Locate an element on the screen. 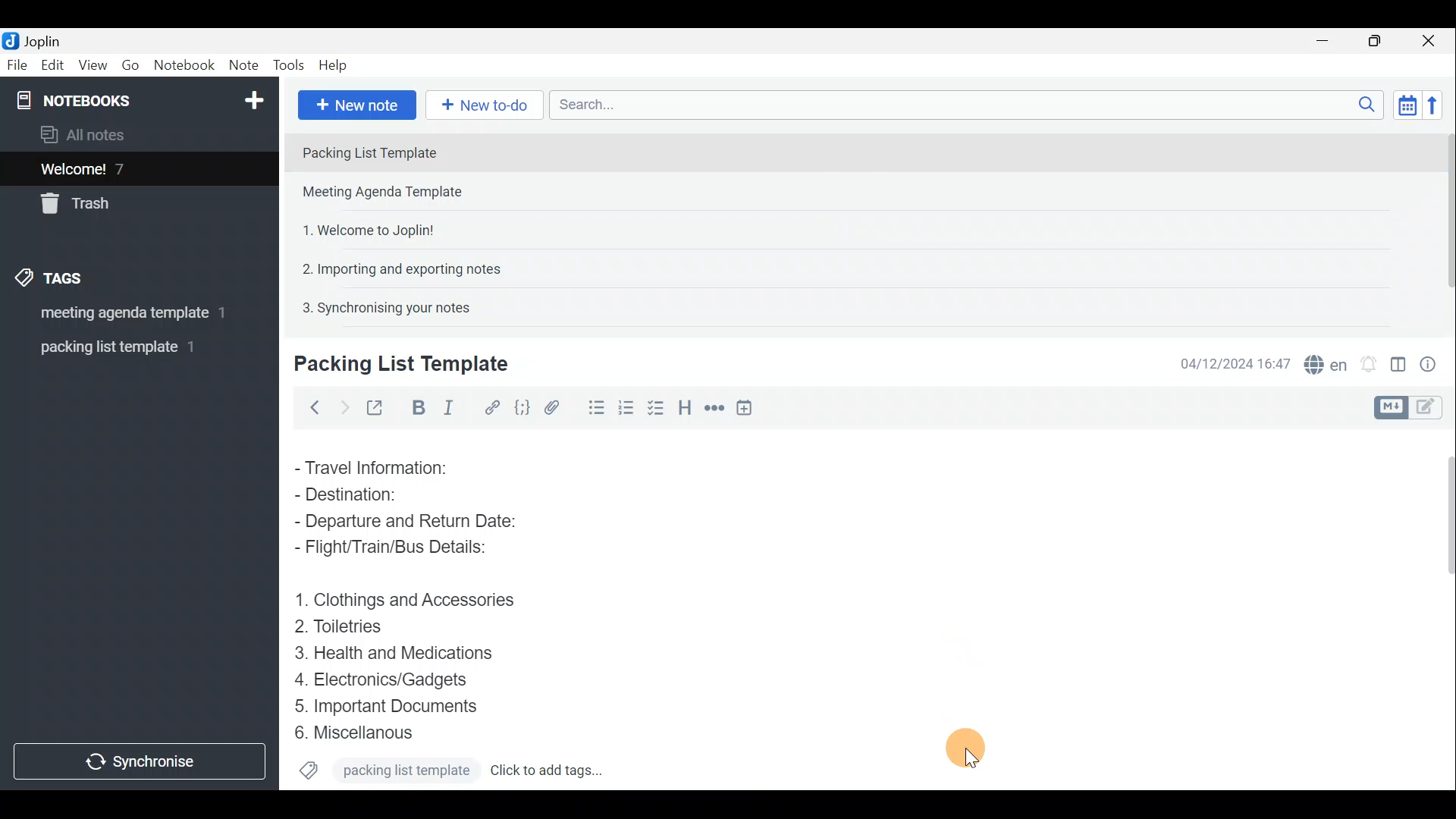 The image size is (1456, 819). Back is located at coordinates (312, 407).